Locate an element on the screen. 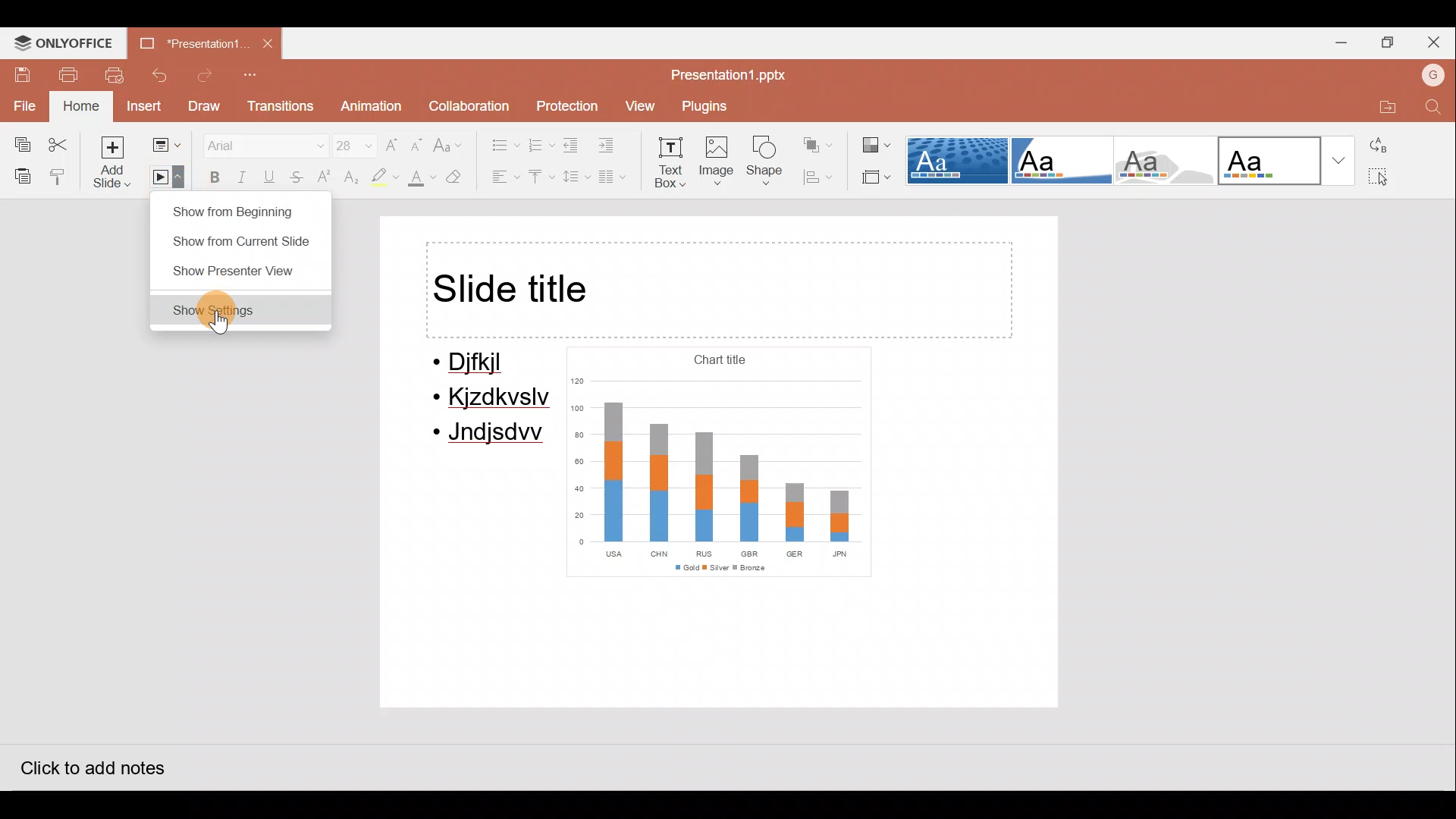 The height and width of the screenshot is (819, 1456). Undo is located at coordinates (159, 74).